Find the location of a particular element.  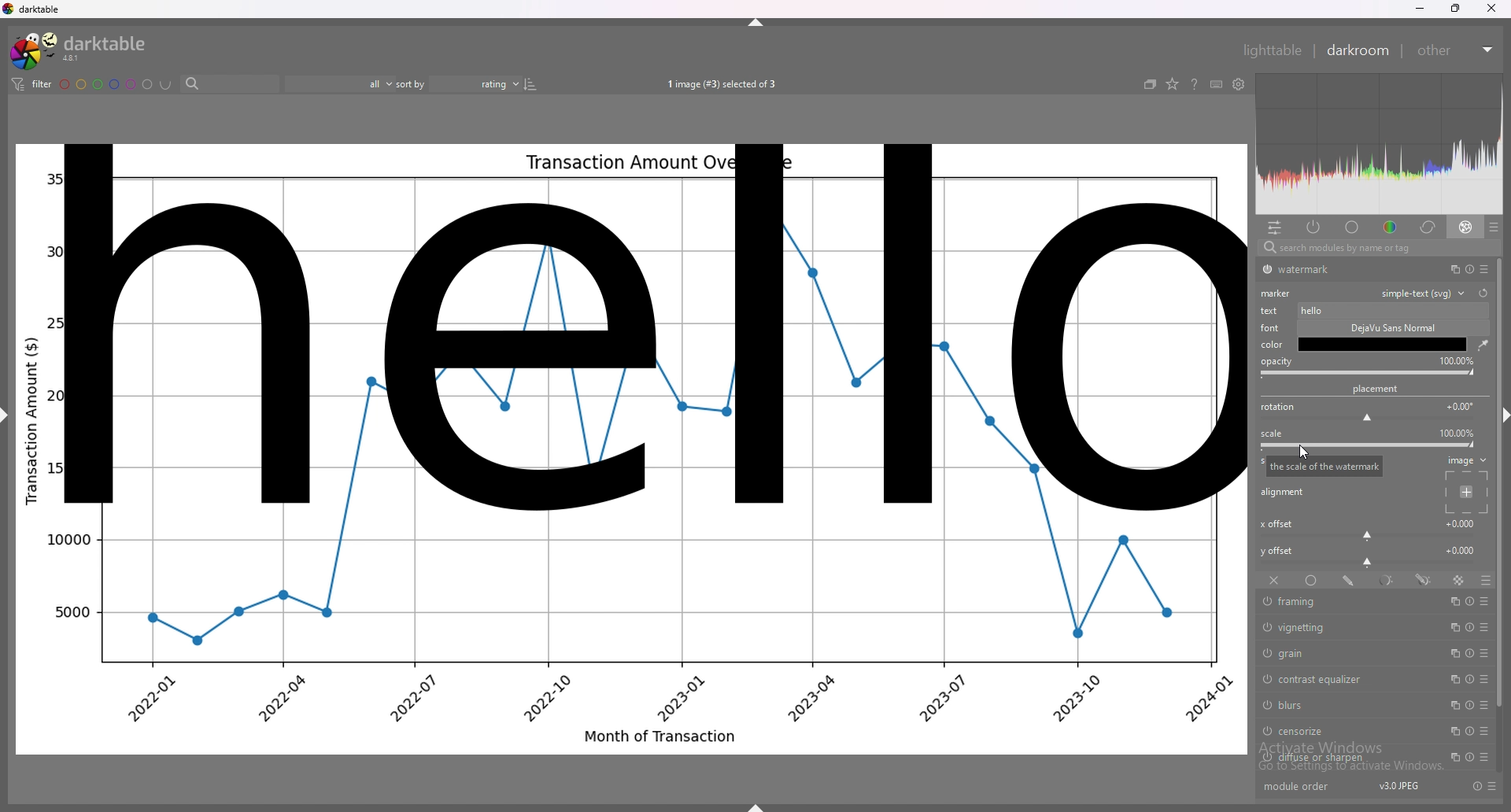

multiple instances action is located at coordinates (1450, 731).